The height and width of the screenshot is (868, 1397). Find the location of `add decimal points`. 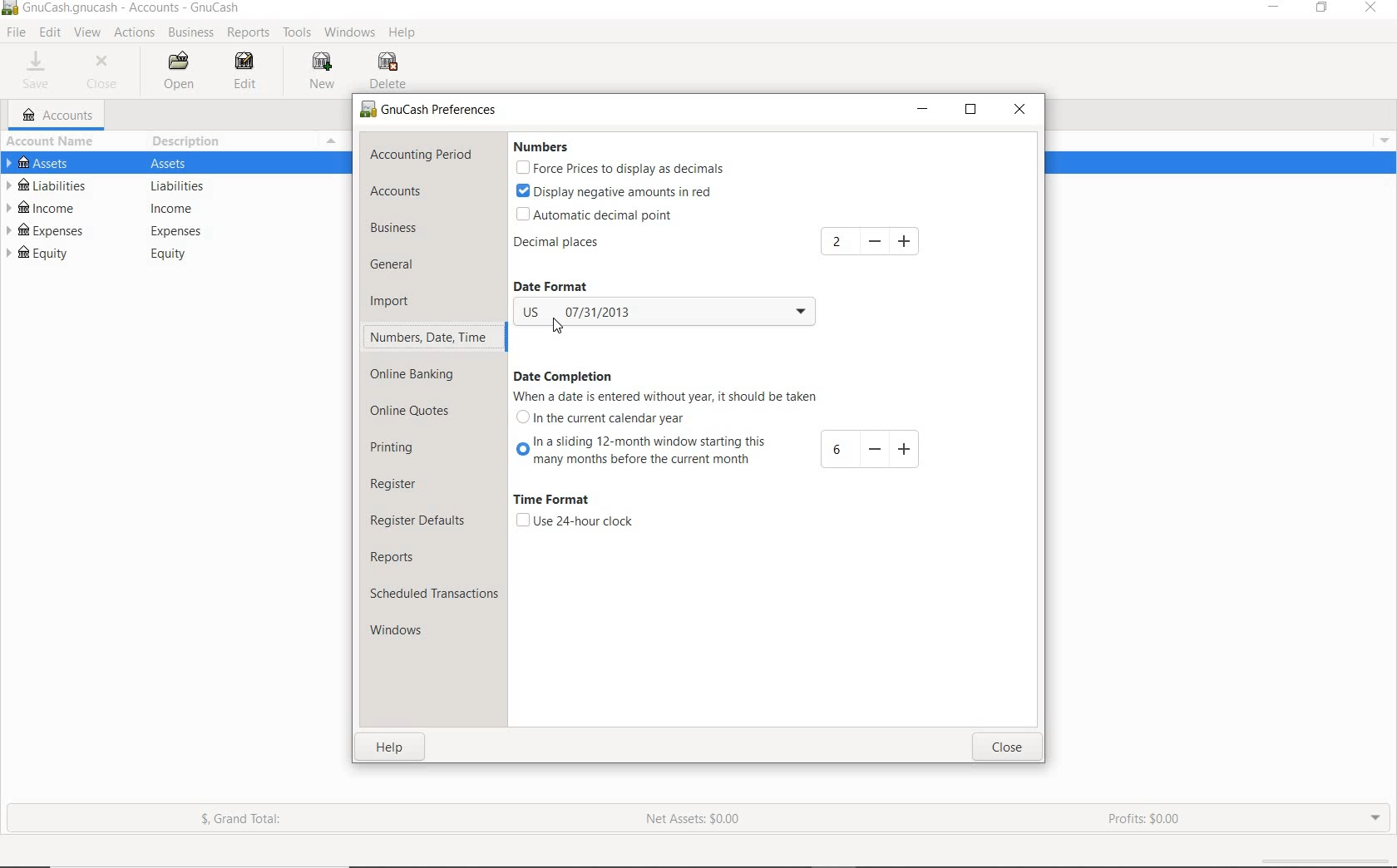

add decimal points is located at coordinates (873, 241).